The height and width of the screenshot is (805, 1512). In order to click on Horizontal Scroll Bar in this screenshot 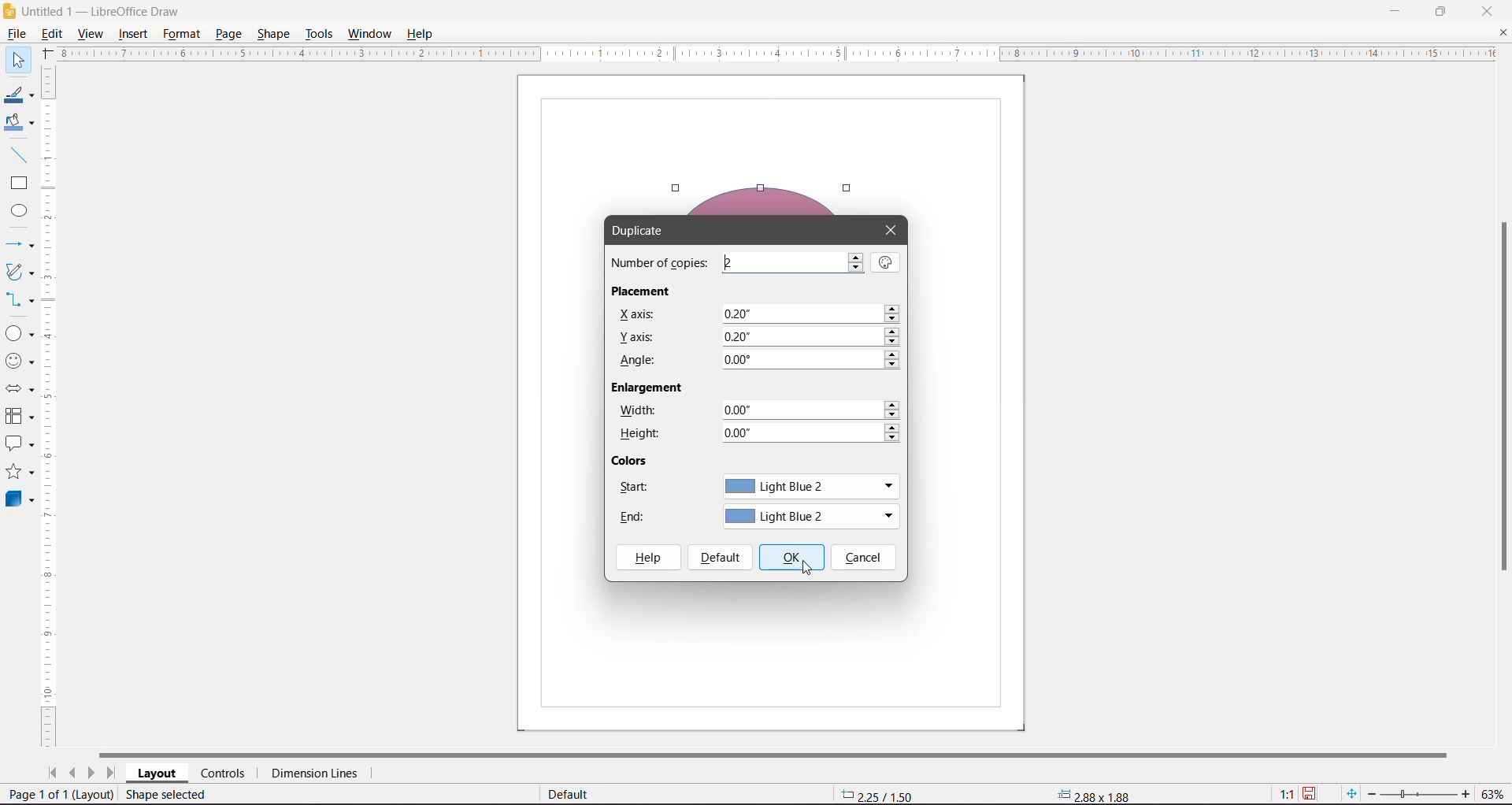, I will do `click(776, 754)`.